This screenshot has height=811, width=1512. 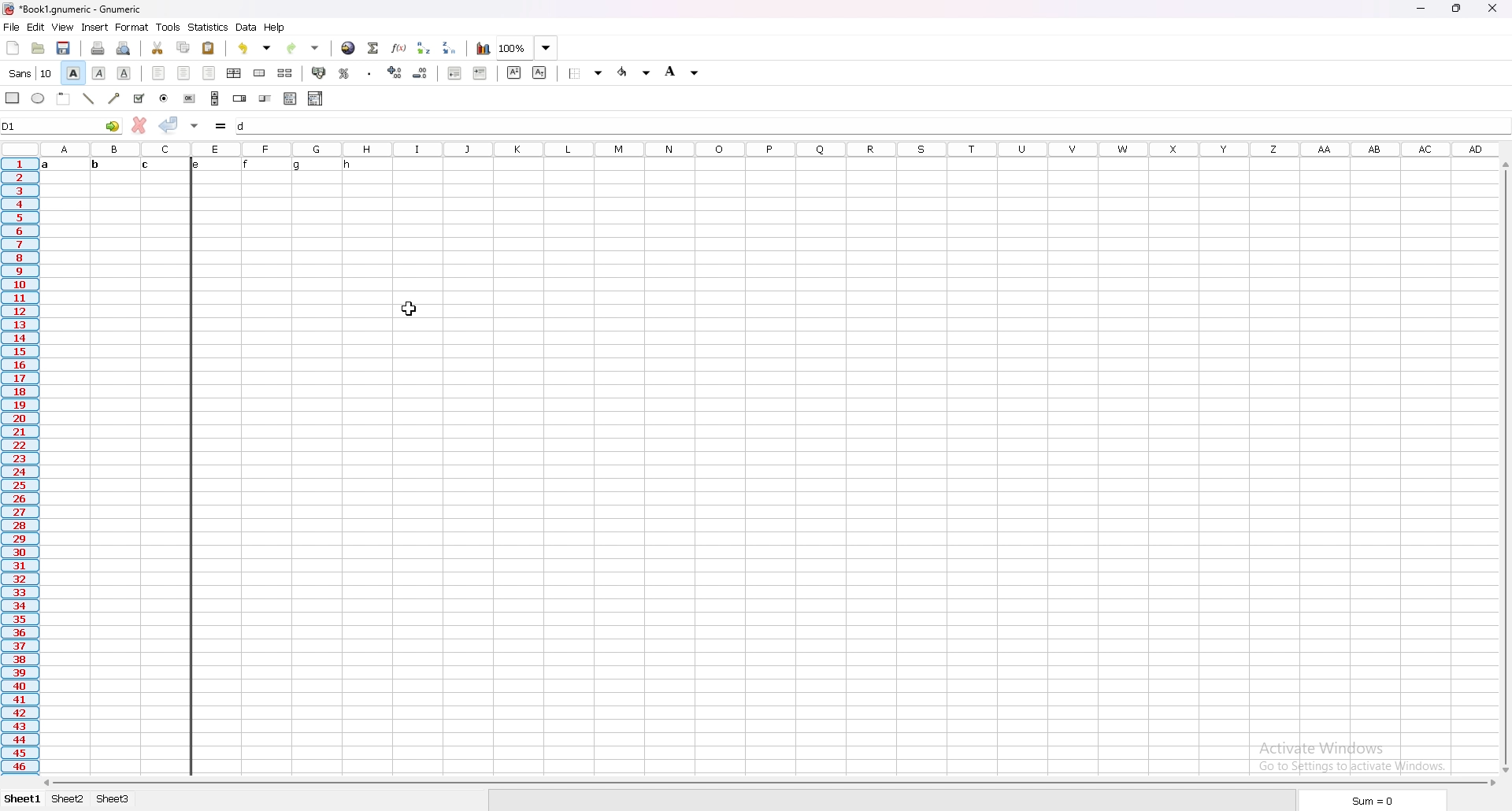 I want to click on scroll bar, so click(x=216, y=98).